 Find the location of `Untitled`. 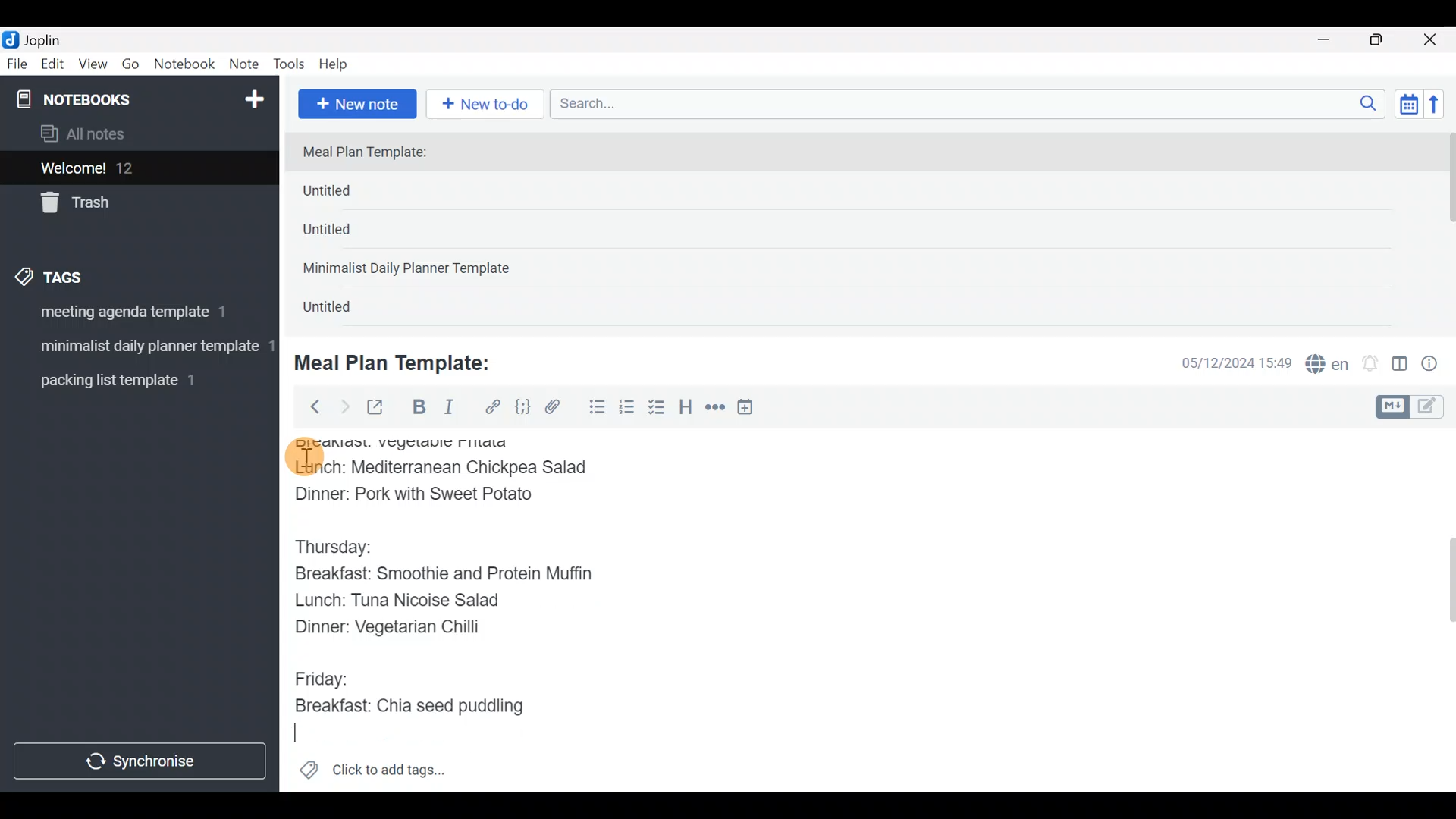

Untitled is located at coordinates (347, 234).